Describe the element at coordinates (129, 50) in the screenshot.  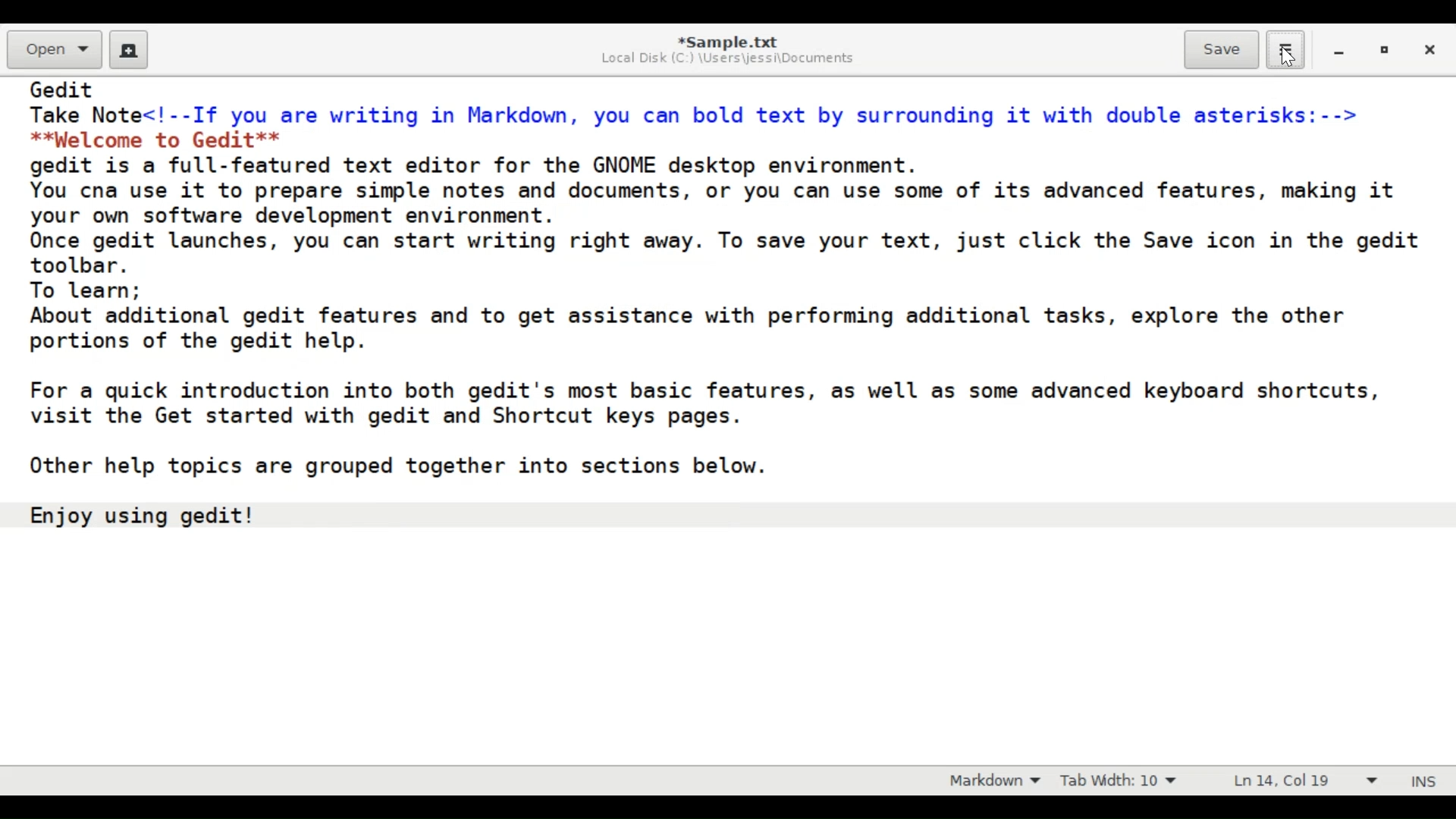
I see `Create a new document` at that location.